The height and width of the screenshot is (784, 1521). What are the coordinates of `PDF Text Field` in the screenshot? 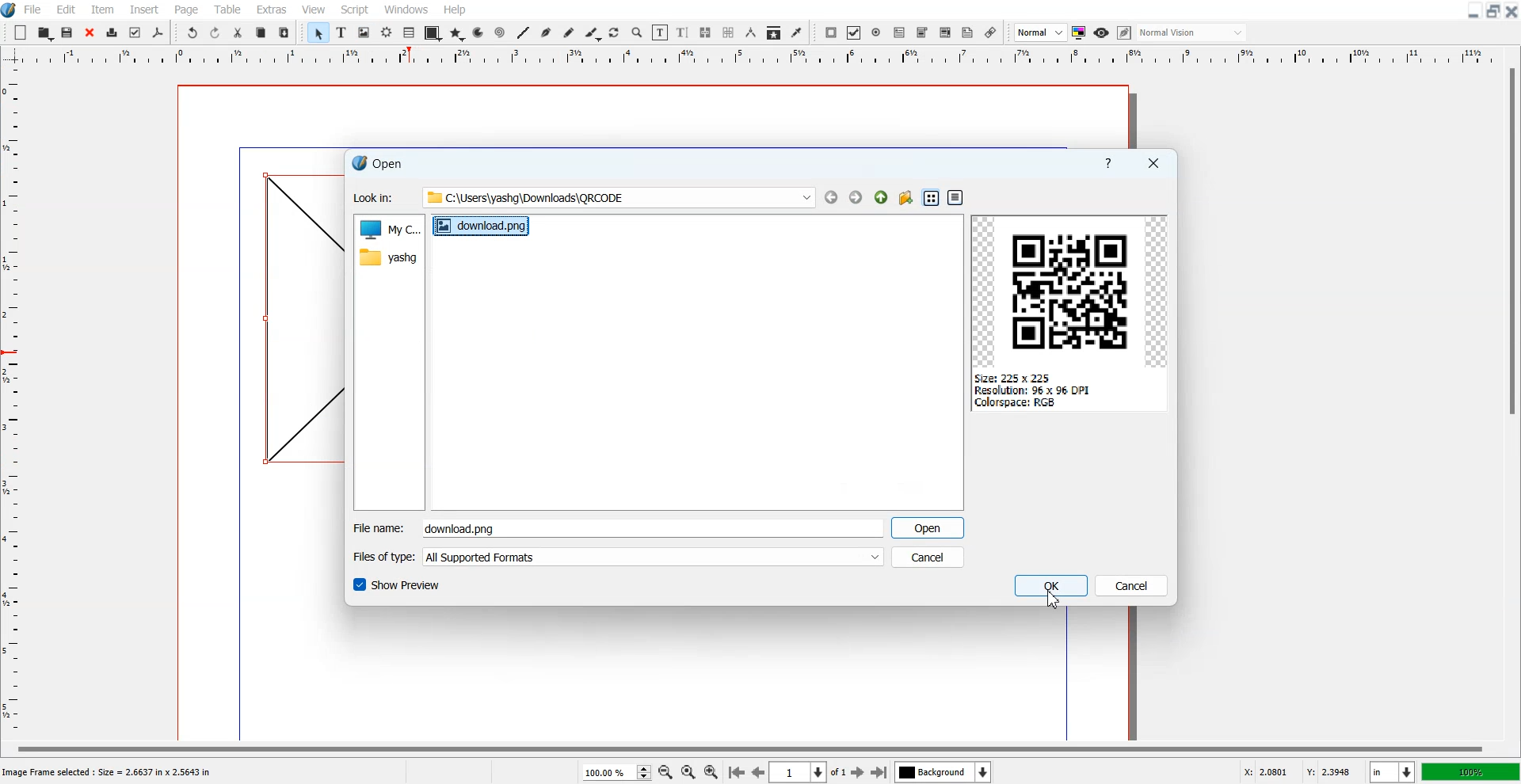 It's located at (899, 32).